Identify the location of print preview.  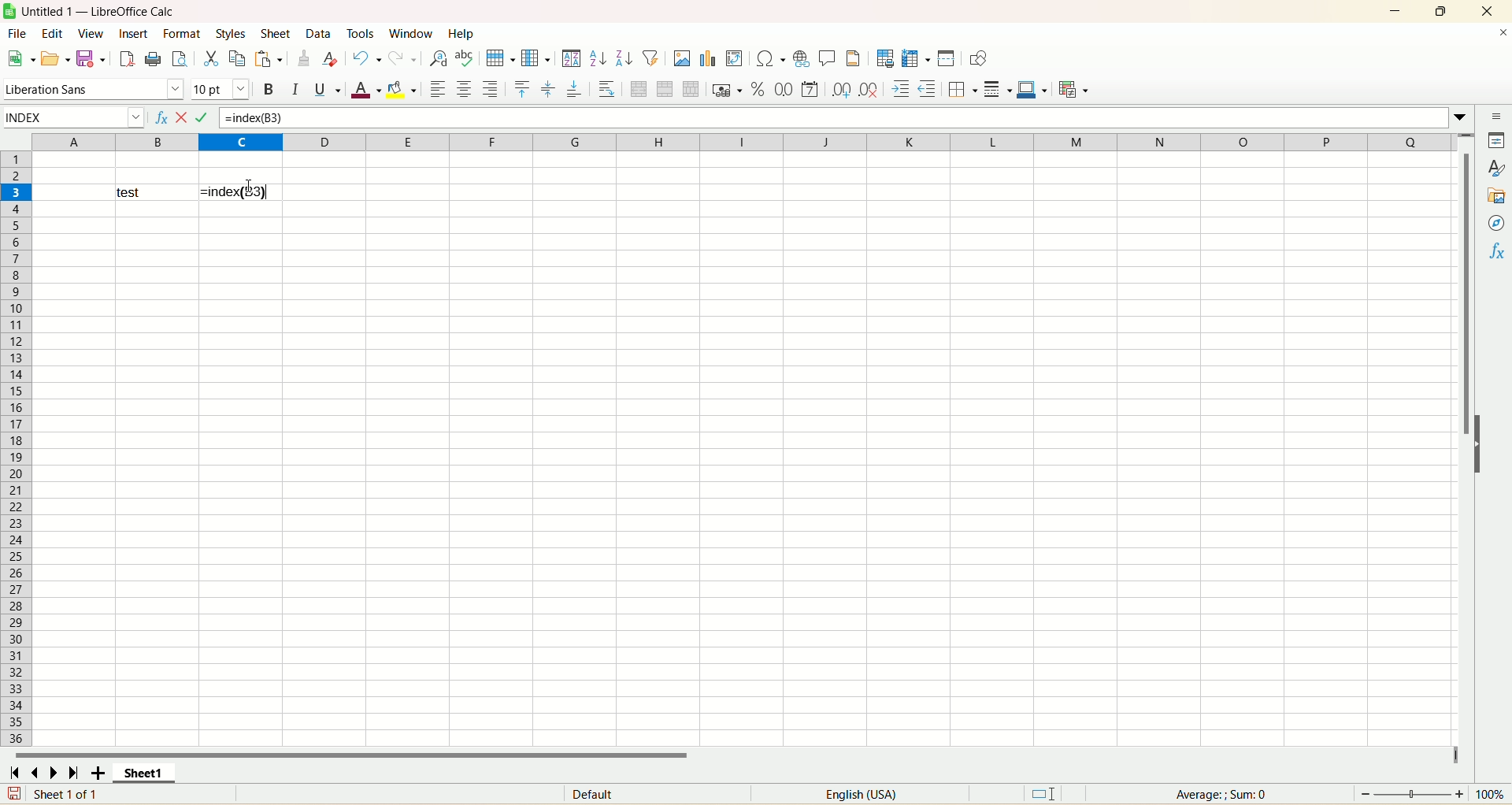
(179, 58).